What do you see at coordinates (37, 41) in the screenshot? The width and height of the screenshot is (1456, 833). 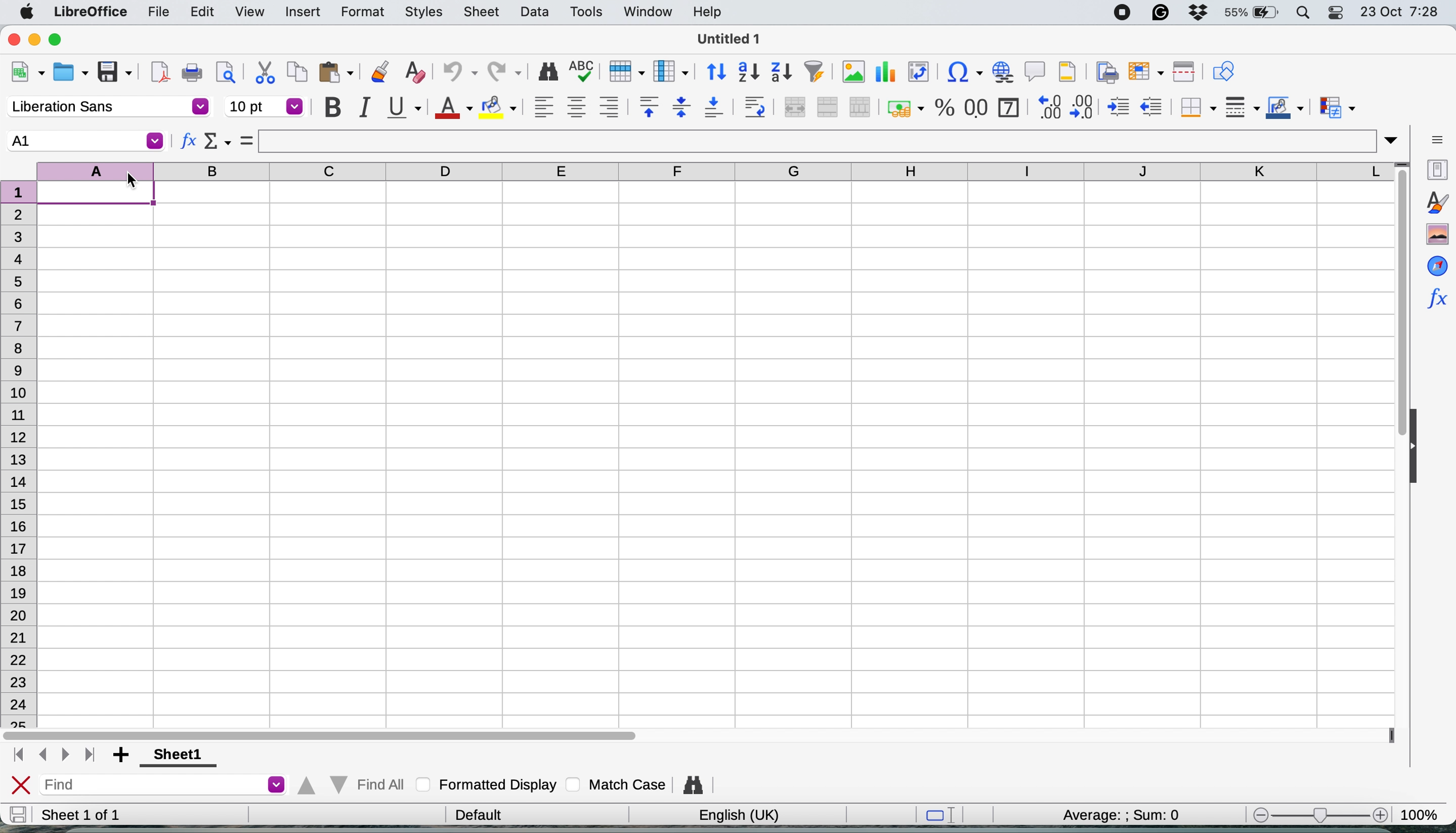 I see `minimise` at bounding box center [37, 41].